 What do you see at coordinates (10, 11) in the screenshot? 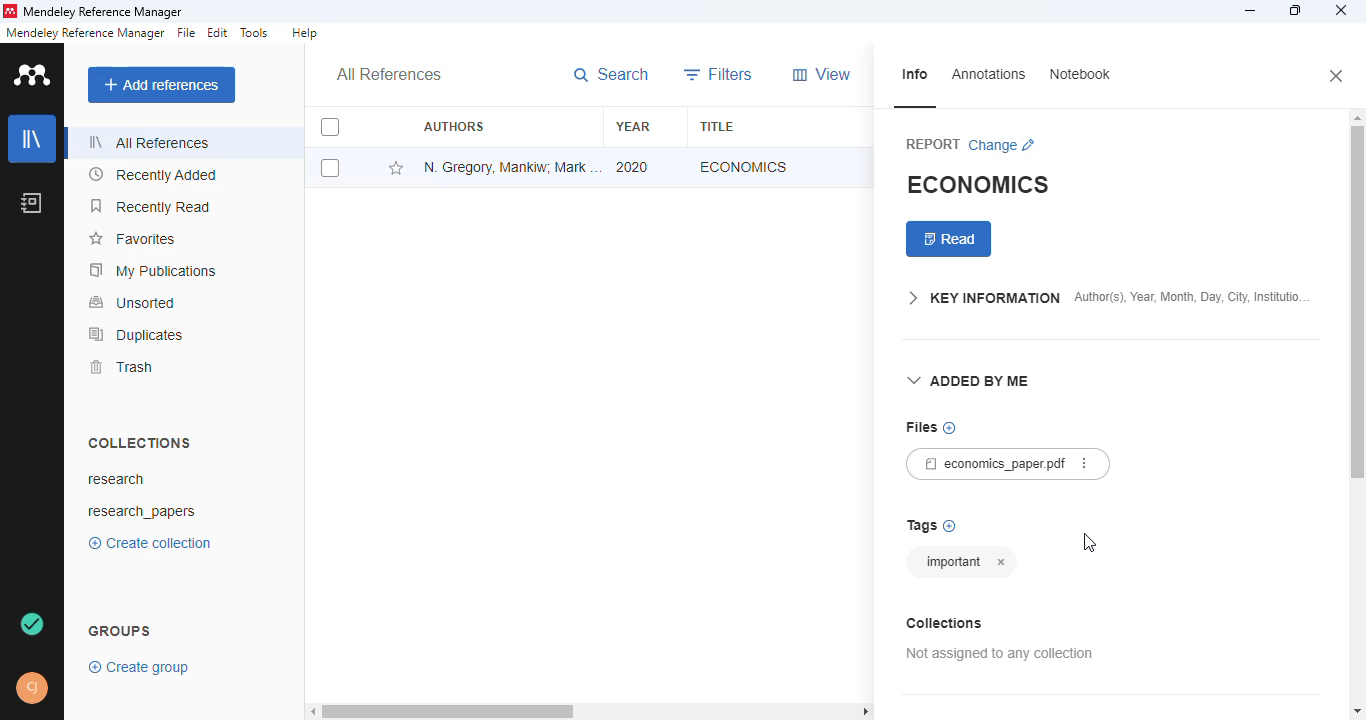
I see `logo` at bounding box center [10, 11].